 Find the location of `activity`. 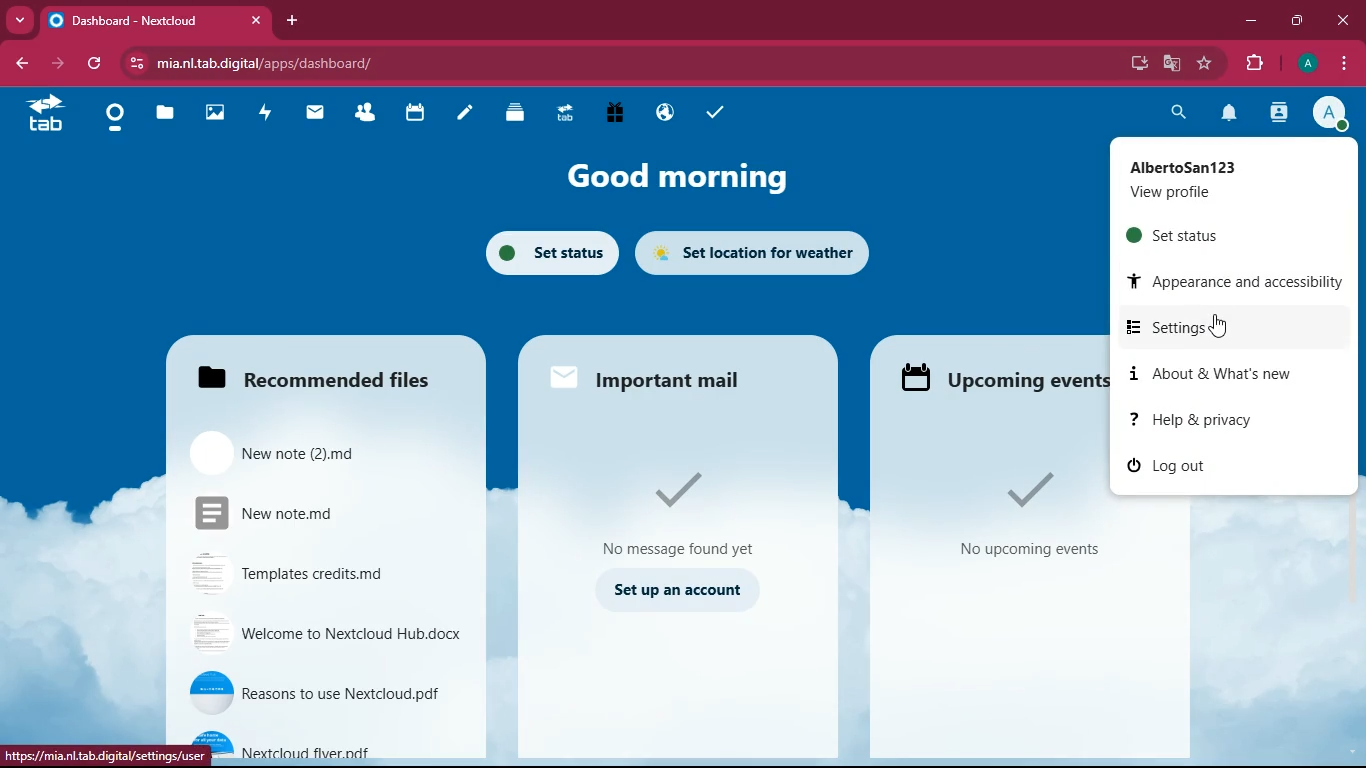

activity is located at coordinates (267, 112).